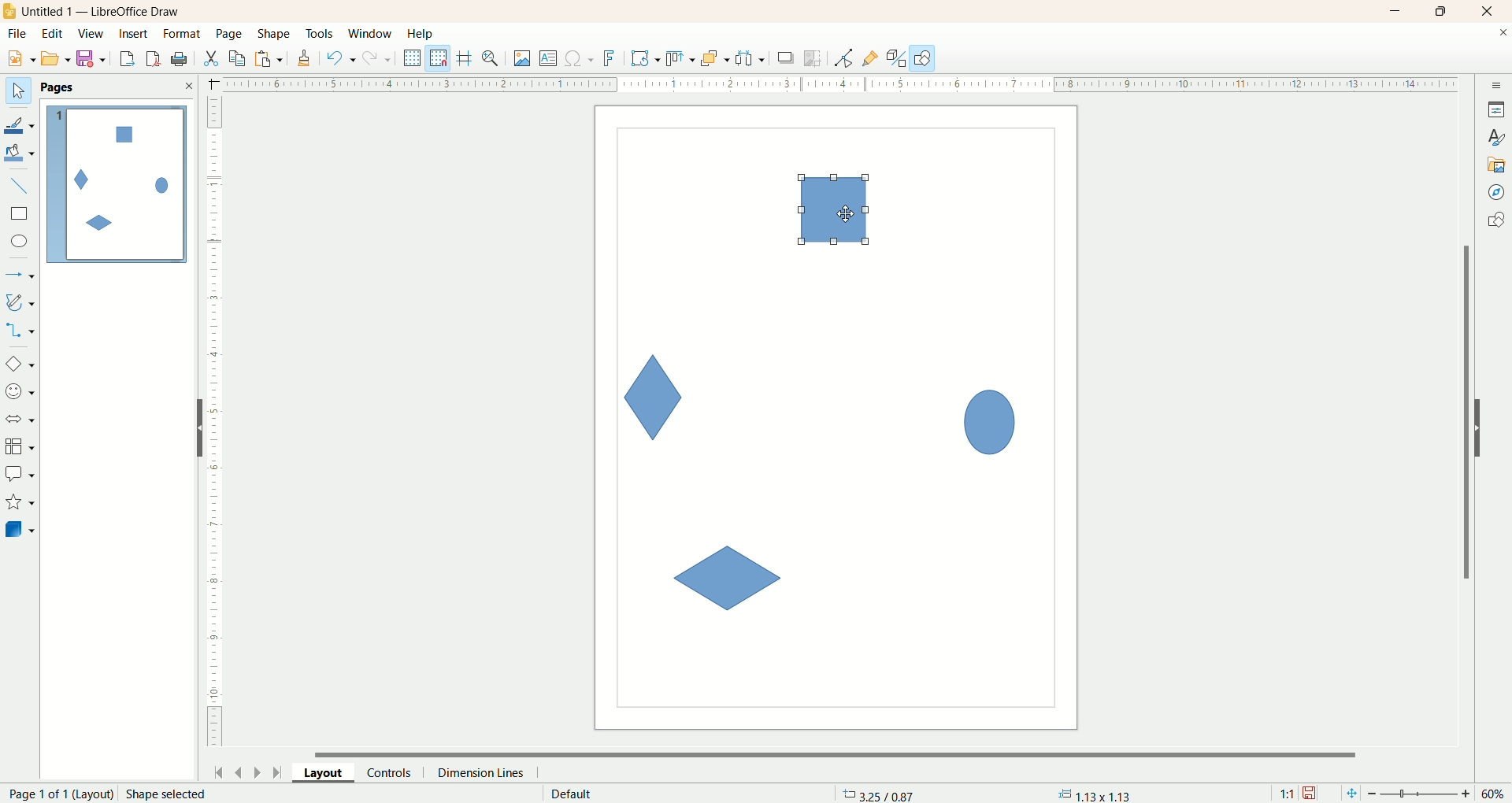  I want to click on select at least three objects to distribute, so click(751, 58).